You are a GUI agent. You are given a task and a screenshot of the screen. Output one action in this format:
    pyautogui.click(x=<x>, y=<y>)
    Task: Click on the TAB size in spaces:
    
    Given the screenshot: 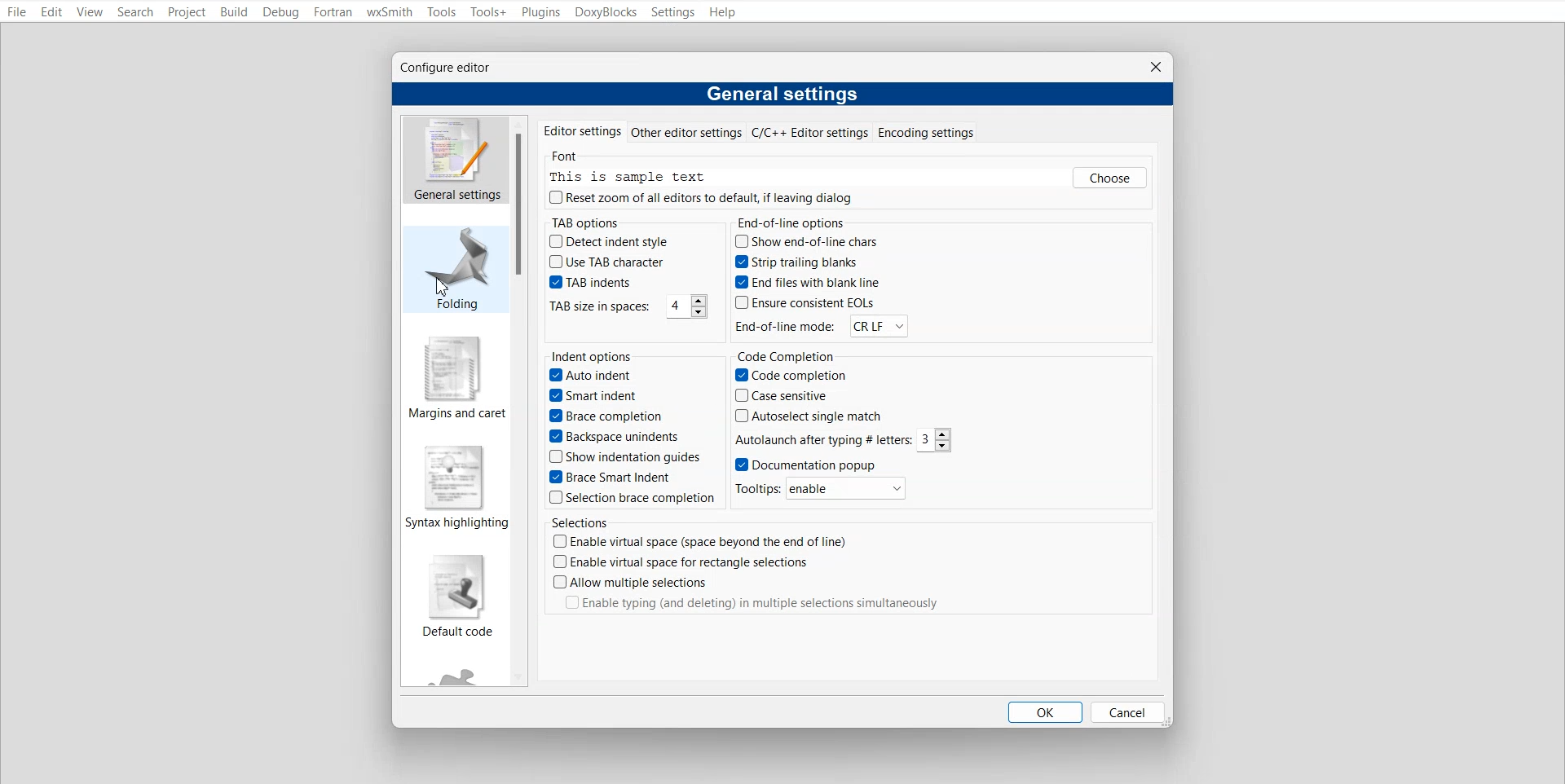 What is the action you would take?
    pyautogui.click(x=598, y=306)
    